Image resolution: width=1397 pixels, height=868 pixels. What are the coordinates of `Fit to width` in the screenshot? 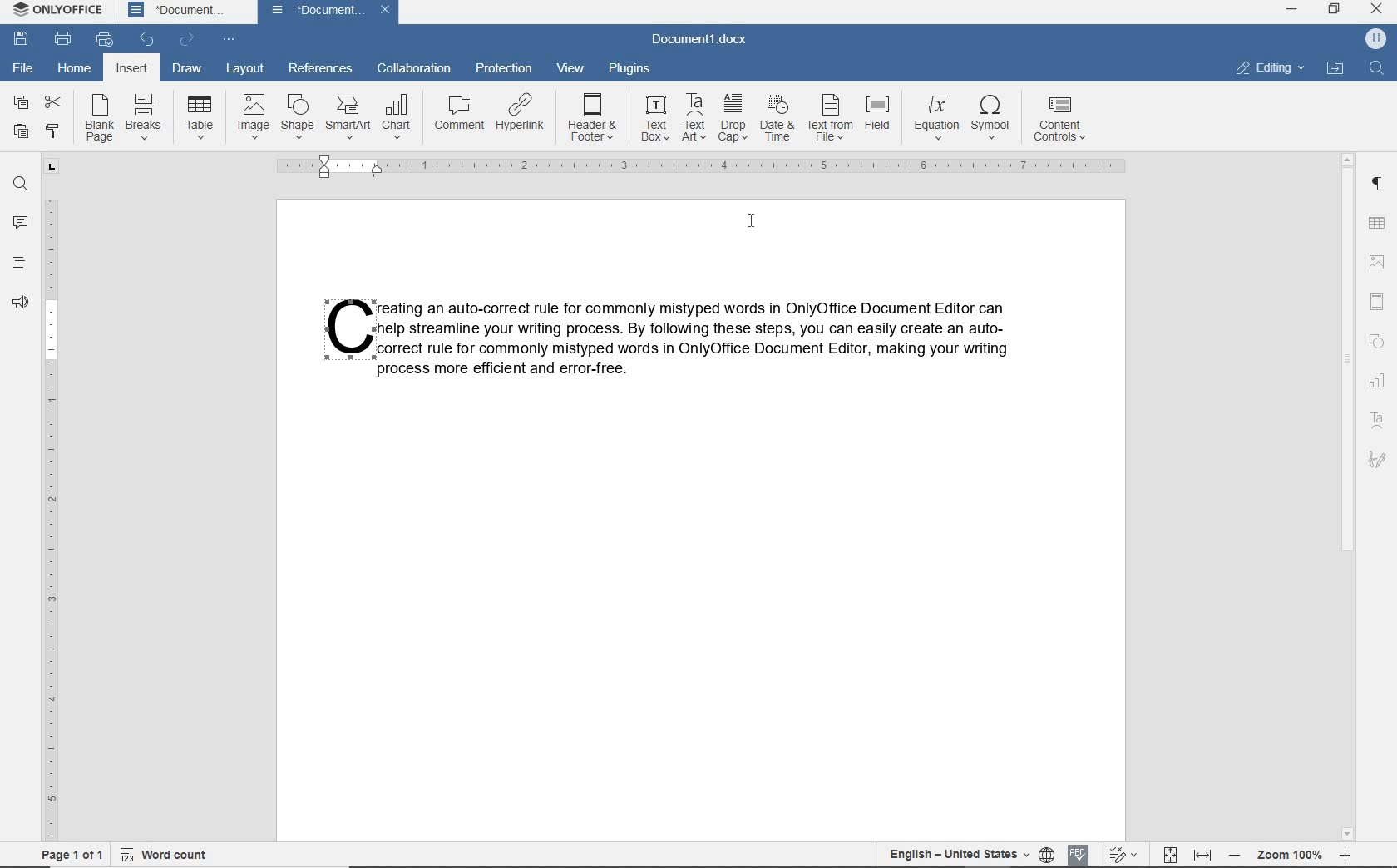 It's located at (1201, 853).